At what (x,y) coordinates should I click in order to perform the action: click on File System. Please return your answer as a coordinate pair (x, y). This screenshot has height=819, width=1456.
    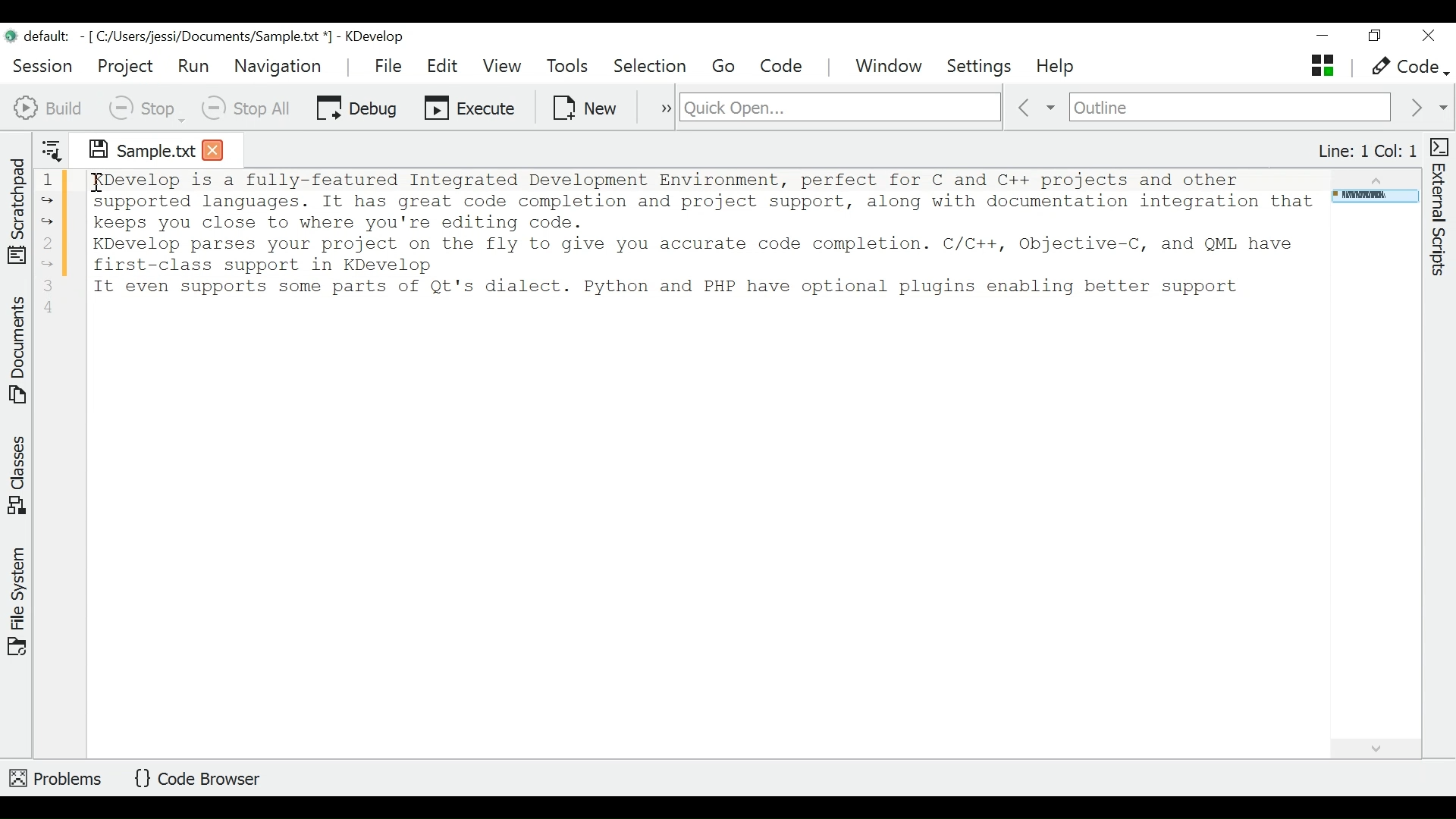
    Looking at the image, I should click on (17, 600).